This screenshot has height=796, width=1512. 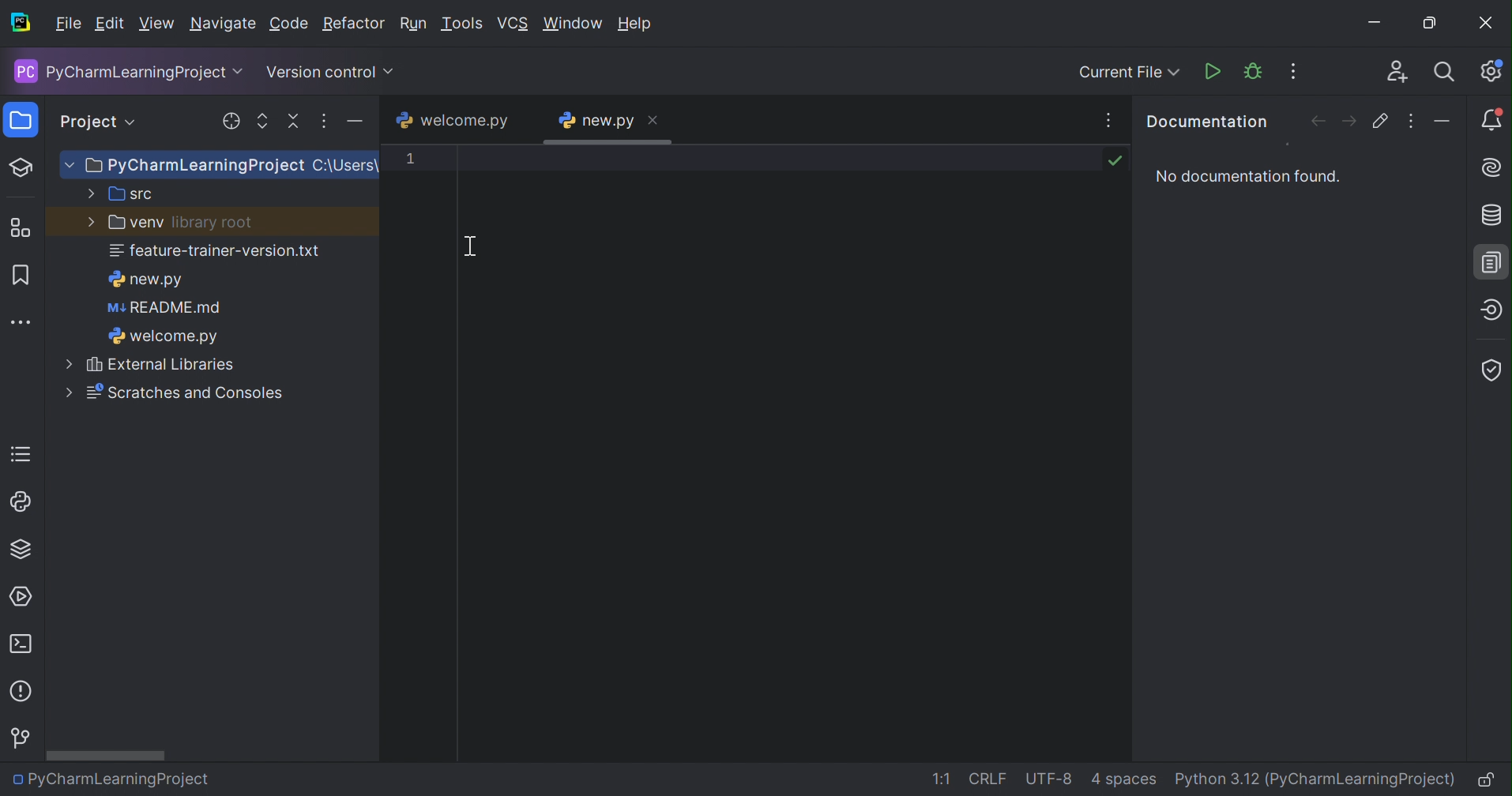 What do you see at coordinates (213, 224) in the screenshot?
I see `library root` at bounding box center [213, 224].